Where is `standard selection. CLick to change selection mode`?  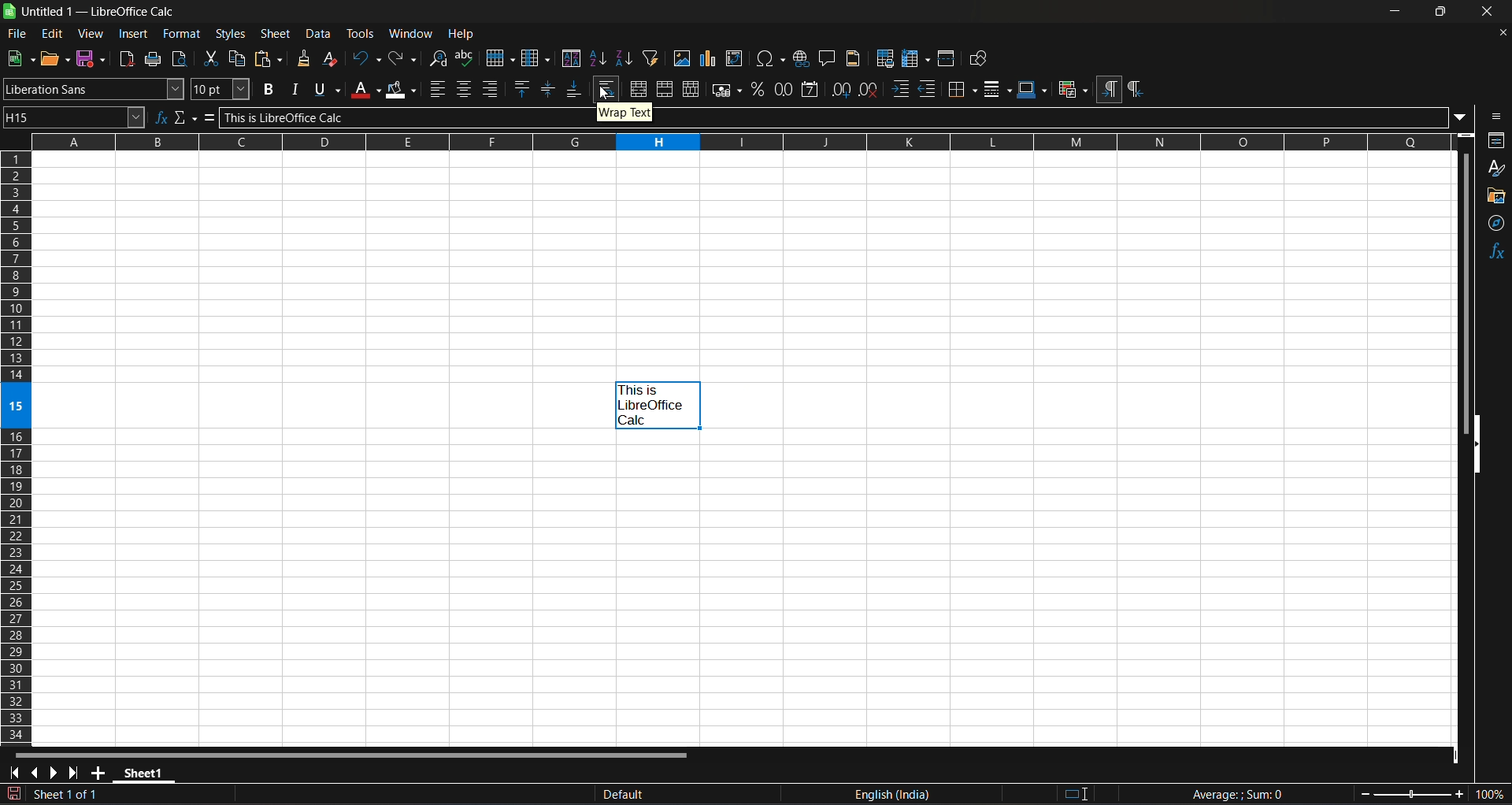
standard selection. CLick to change selection mode is located at coordinates (1077, 792).